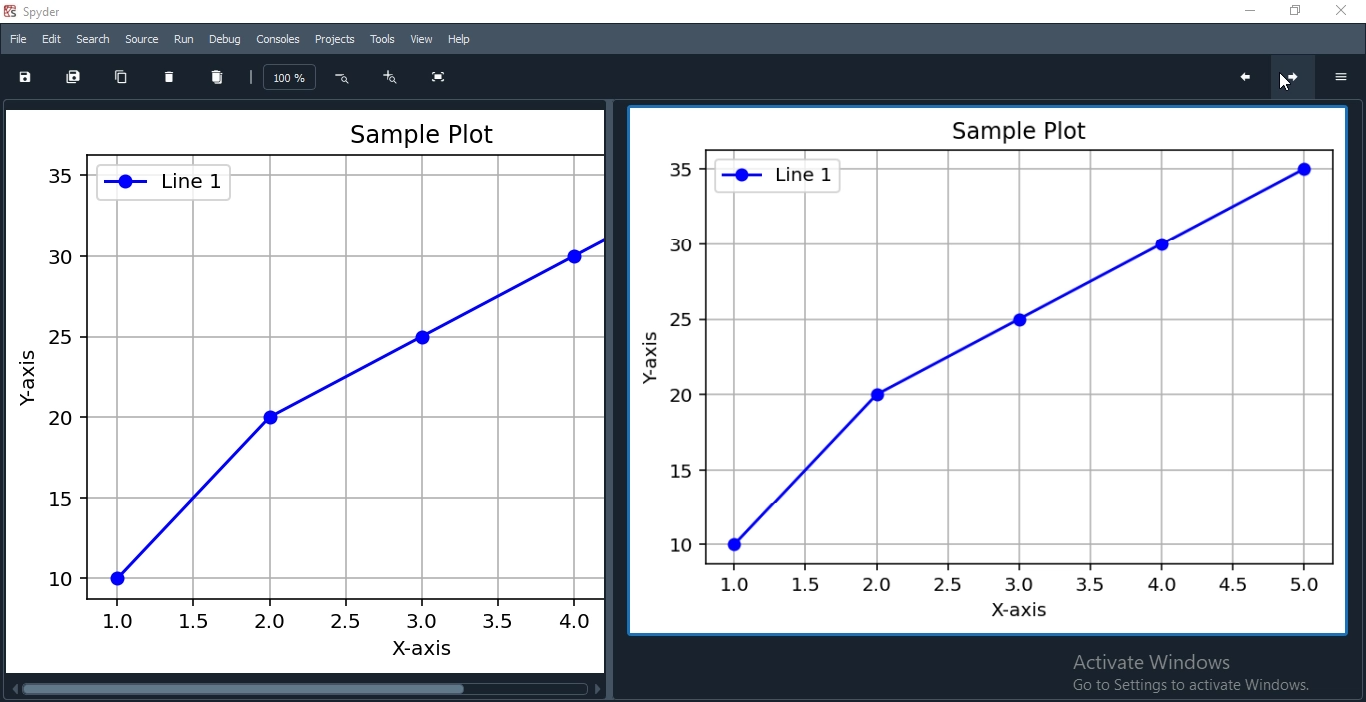  I want to click on Cursor, so click(1282, 85).